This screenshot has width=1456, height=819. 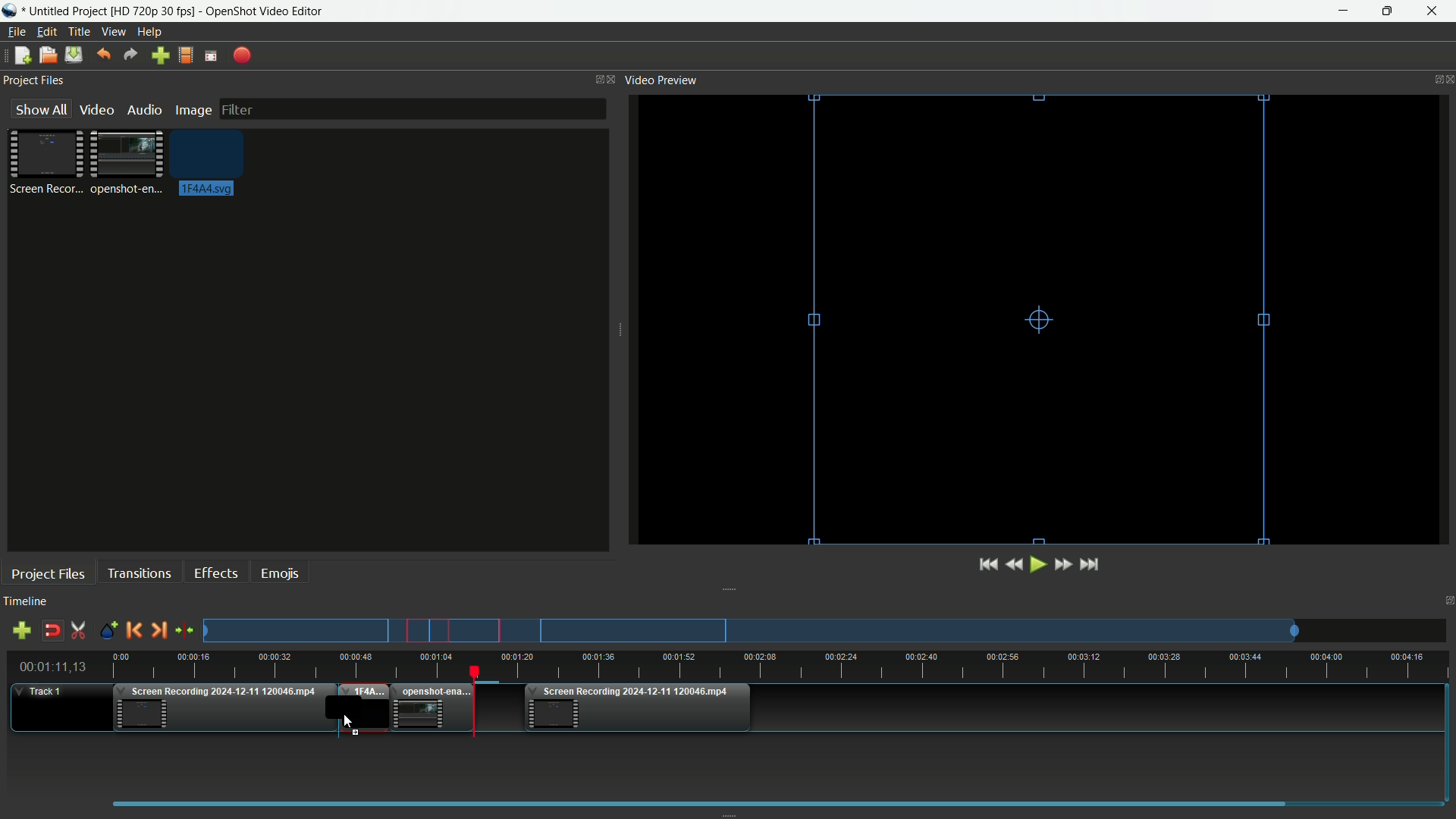 What do you see at coordinates (67, 11) in the screenshot?
I see `Project name` at bounding box center [67, 11].